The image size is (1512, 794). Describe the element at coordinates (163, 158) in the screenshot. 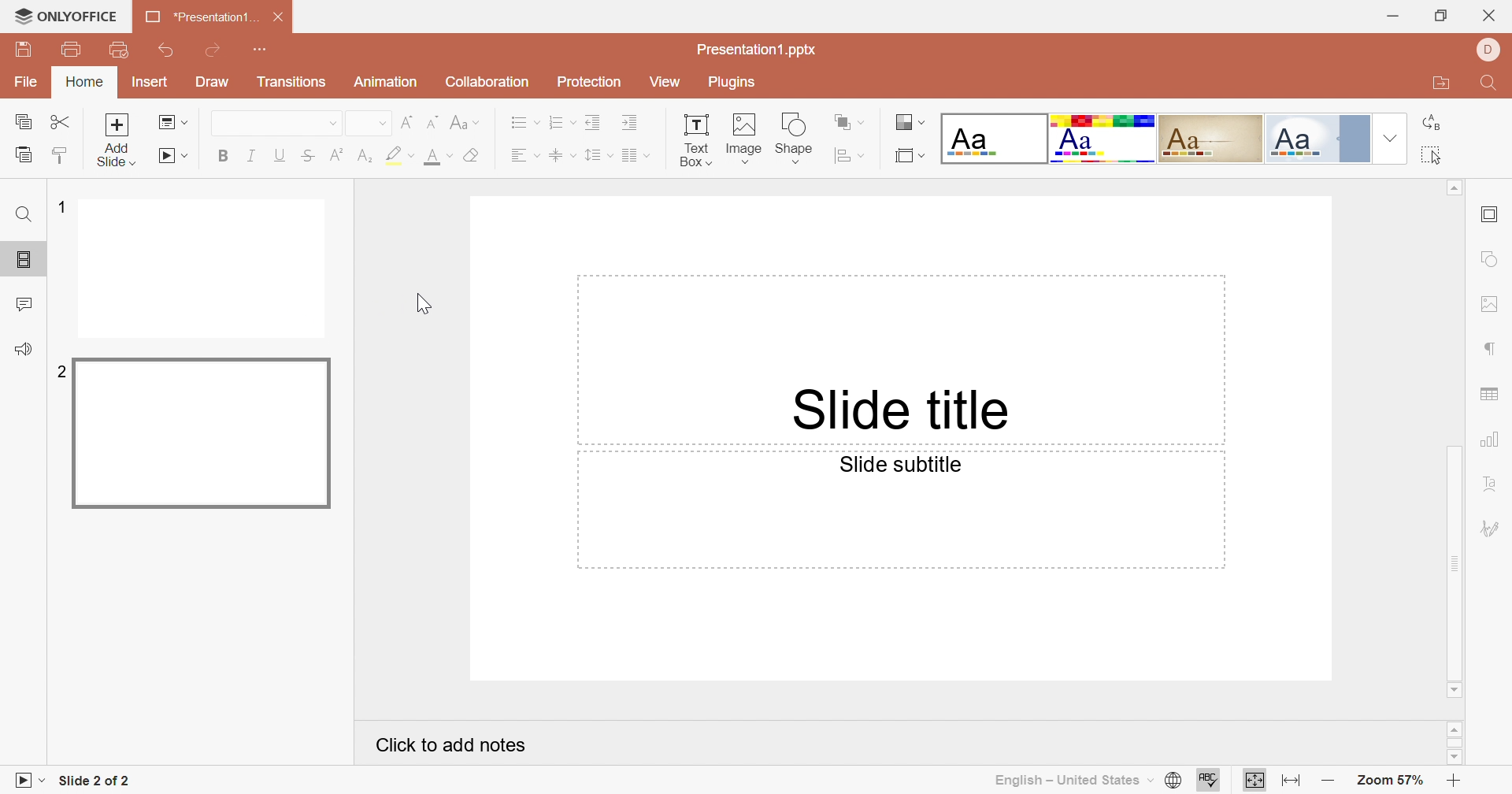

I see `Start Slideshow` at that location.